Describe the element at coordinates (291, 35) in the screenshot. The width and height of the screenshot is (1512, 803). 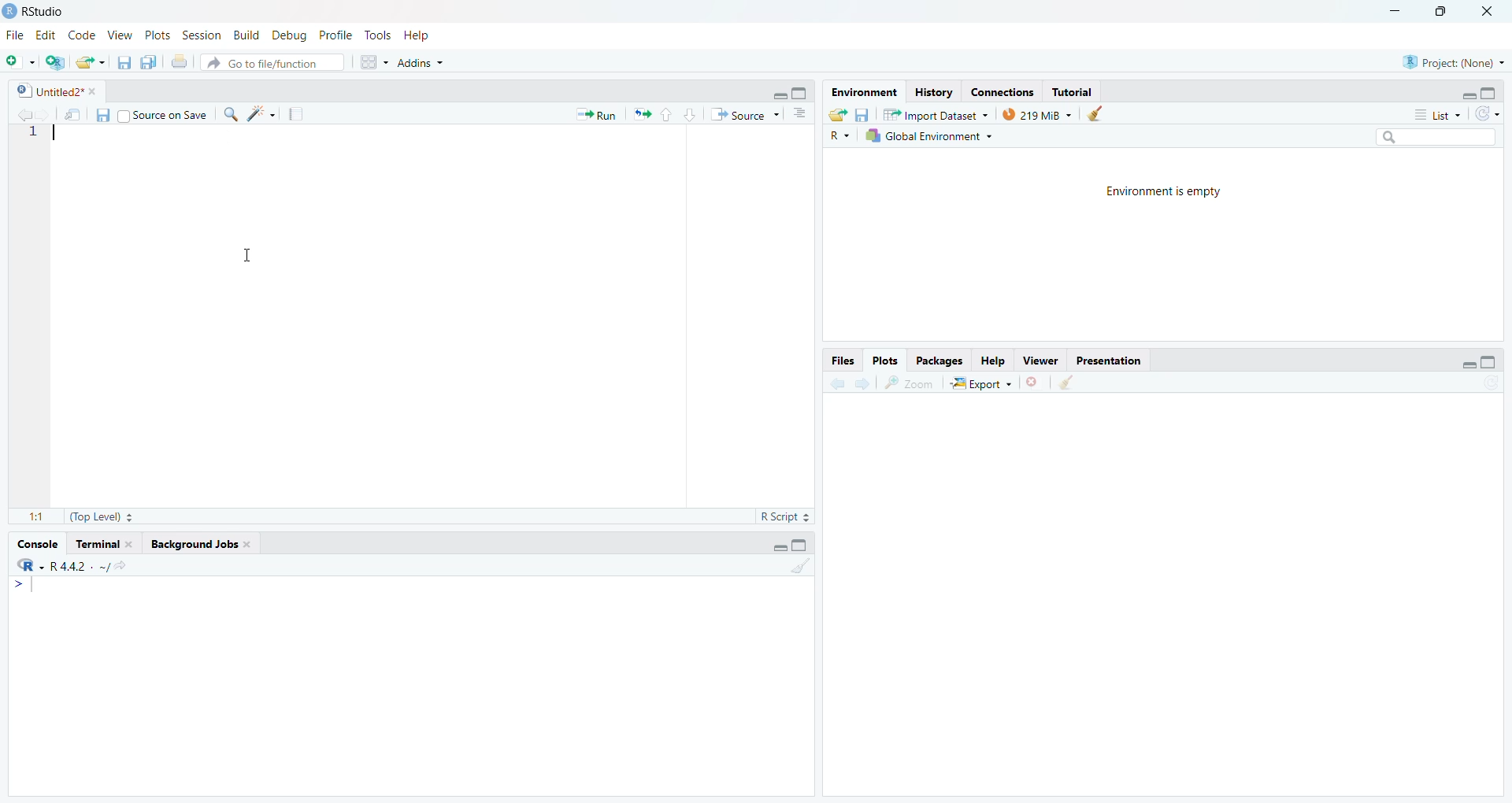
I see `Debug` at that location.